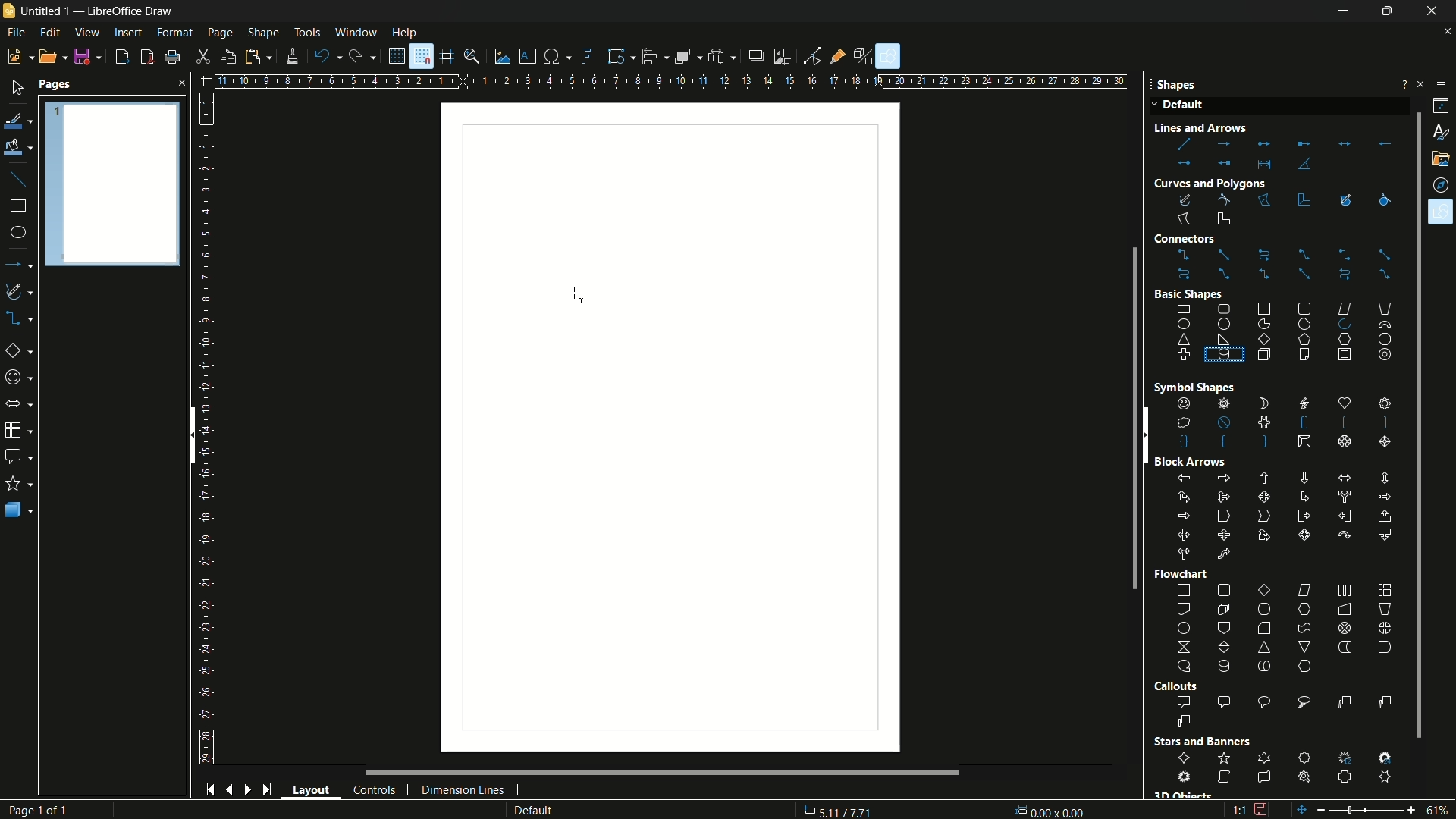 This screenshot has width=1456, height=819. I want to click on curves and polygons, so click(21, 292).